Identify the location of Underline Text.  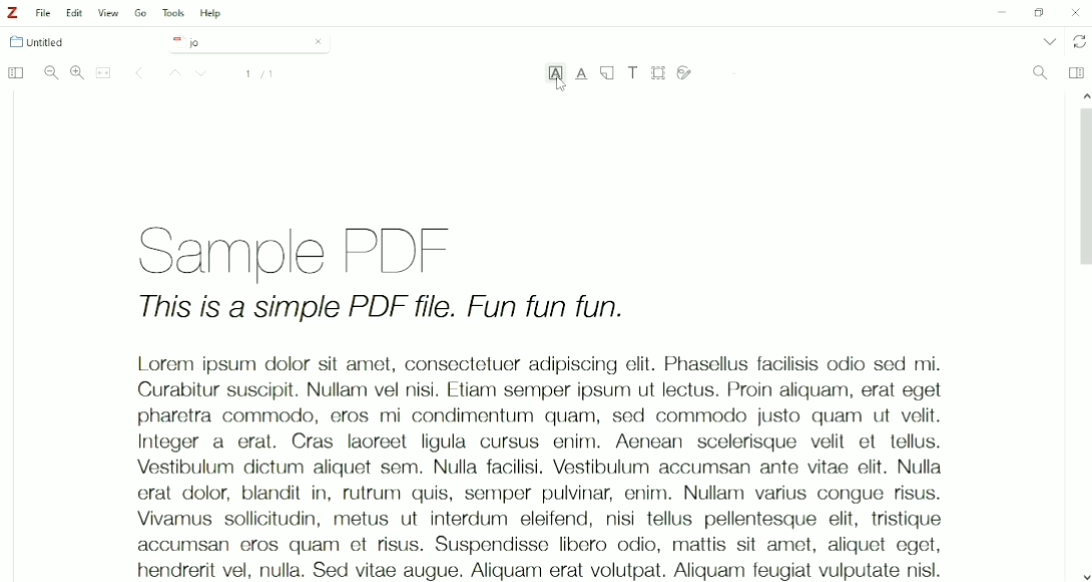
(582, 74).